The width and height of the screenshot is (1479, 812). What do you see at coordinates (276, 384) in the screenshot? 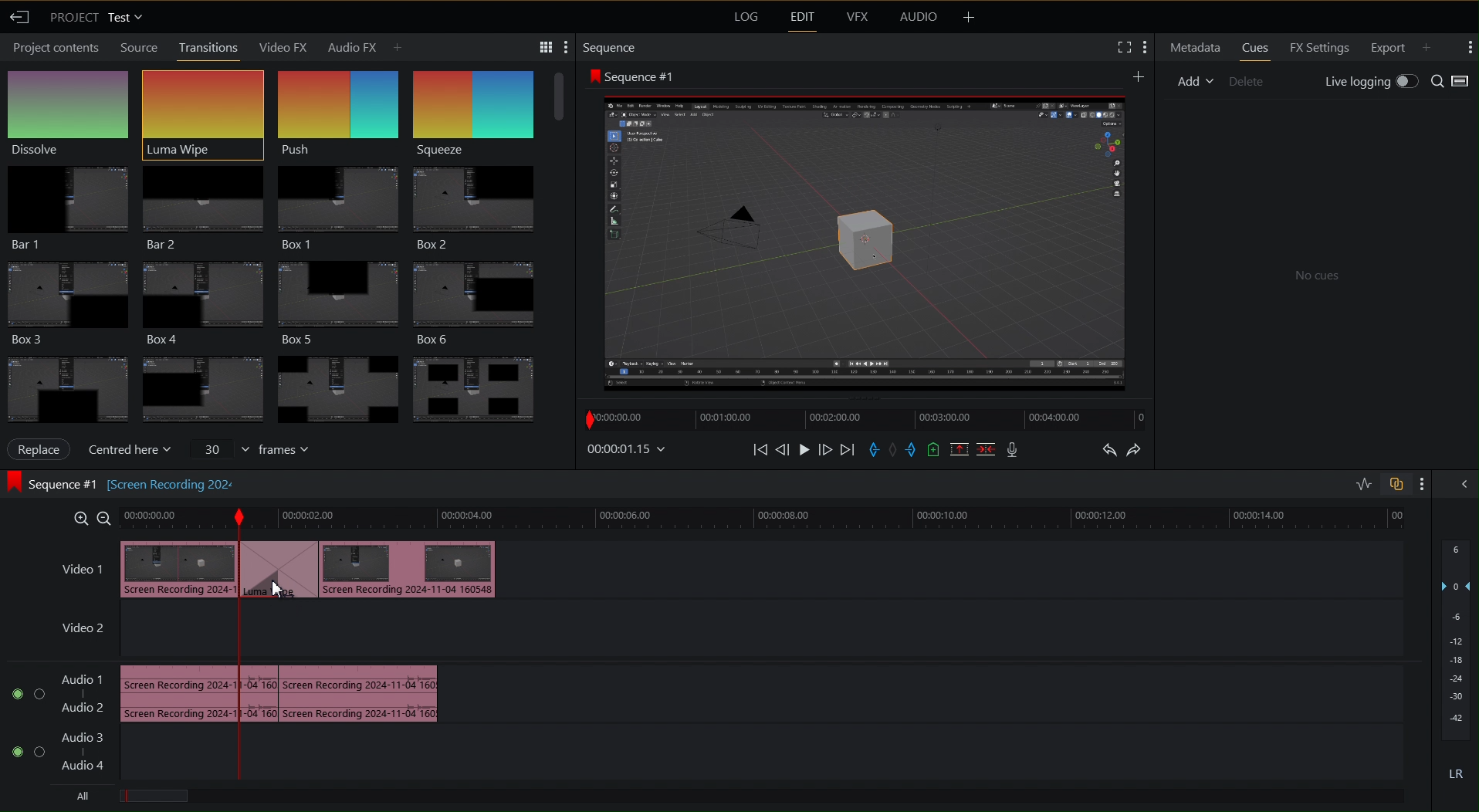
I see `Transitions` at bounding box center [276, 384].